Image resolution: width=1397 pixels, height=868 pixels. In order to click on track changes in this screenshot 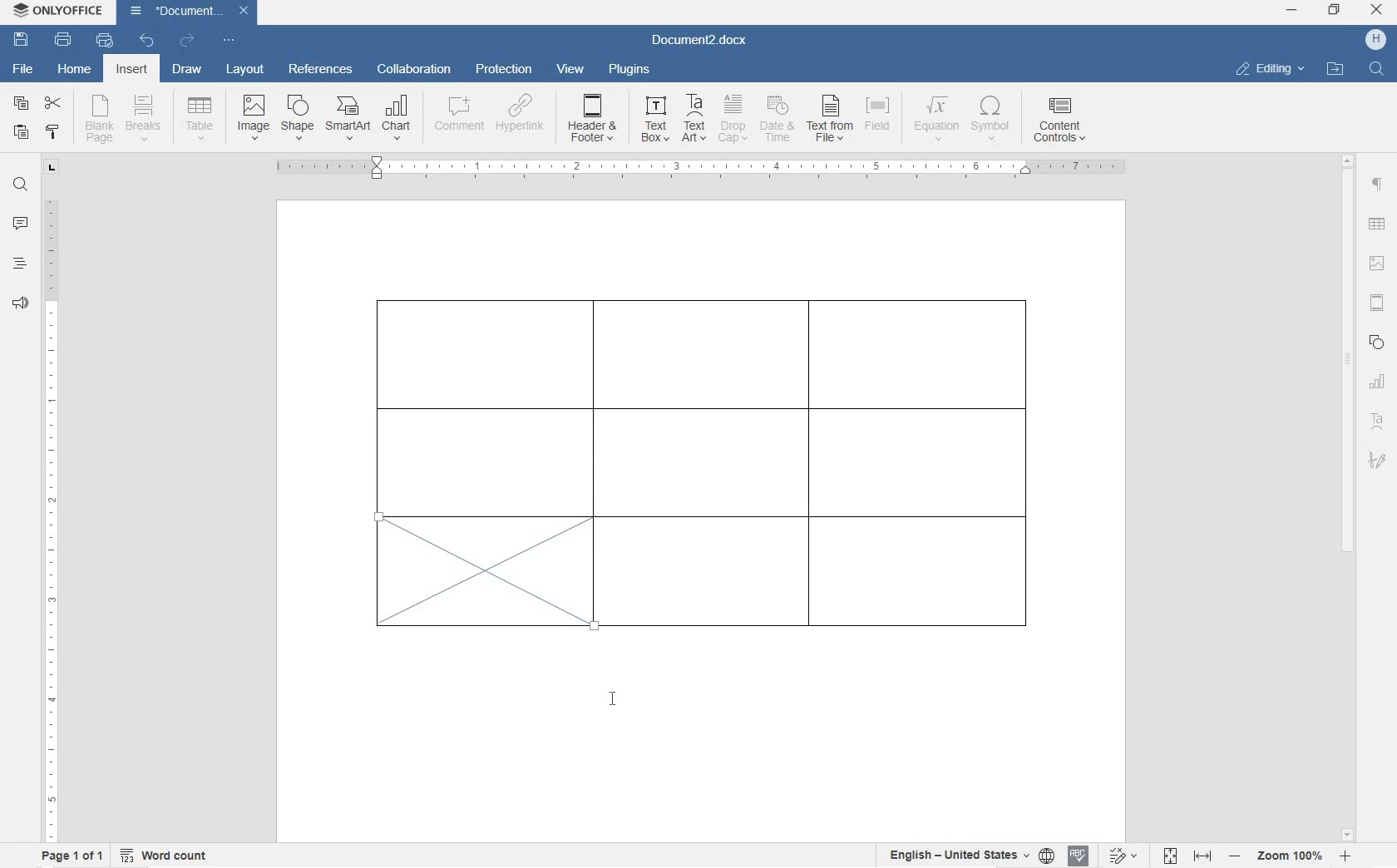, I will do `click(1127, 856)`.